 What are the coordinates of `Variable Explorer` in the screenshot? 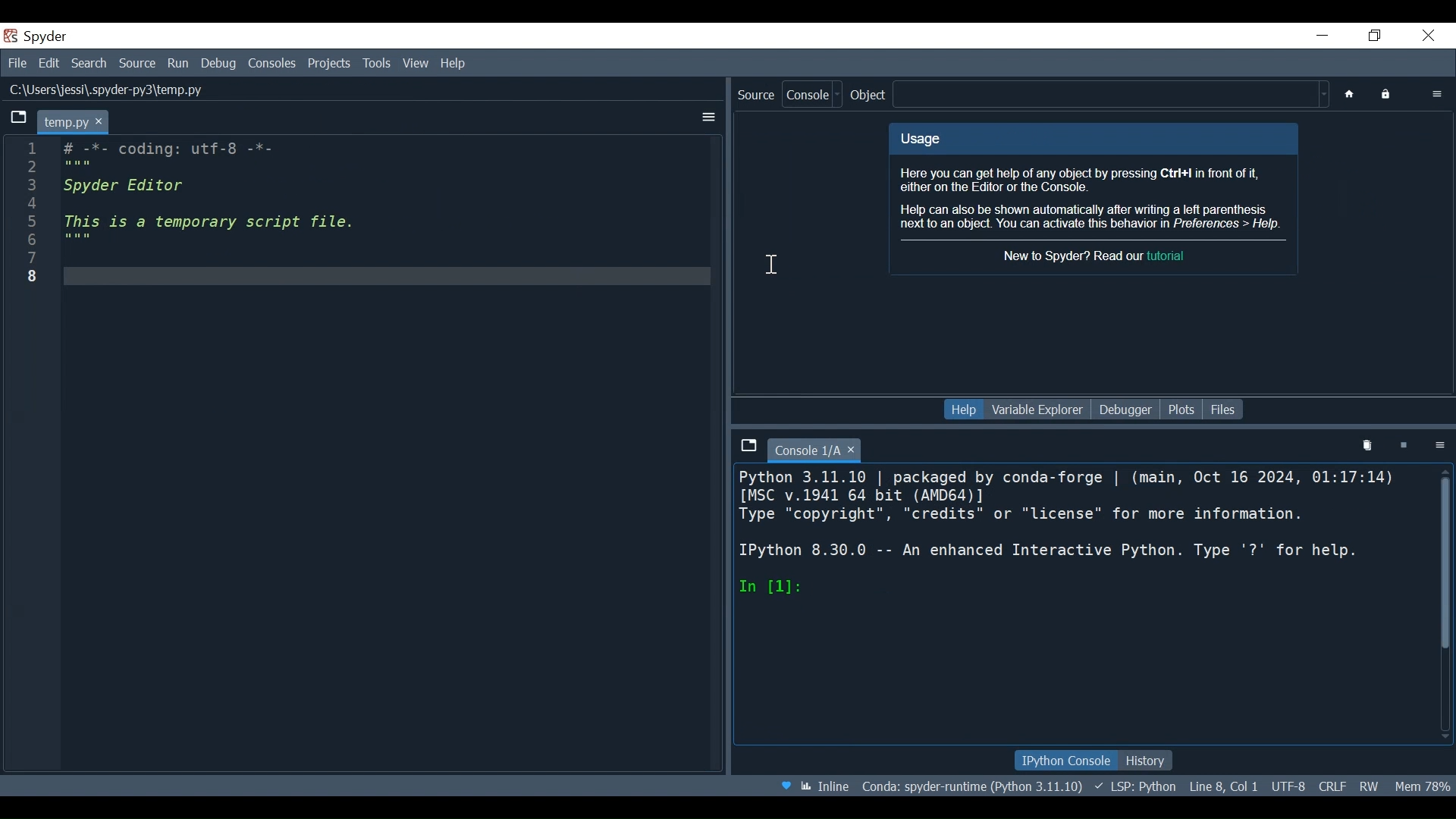 It's located at (1041, 409).